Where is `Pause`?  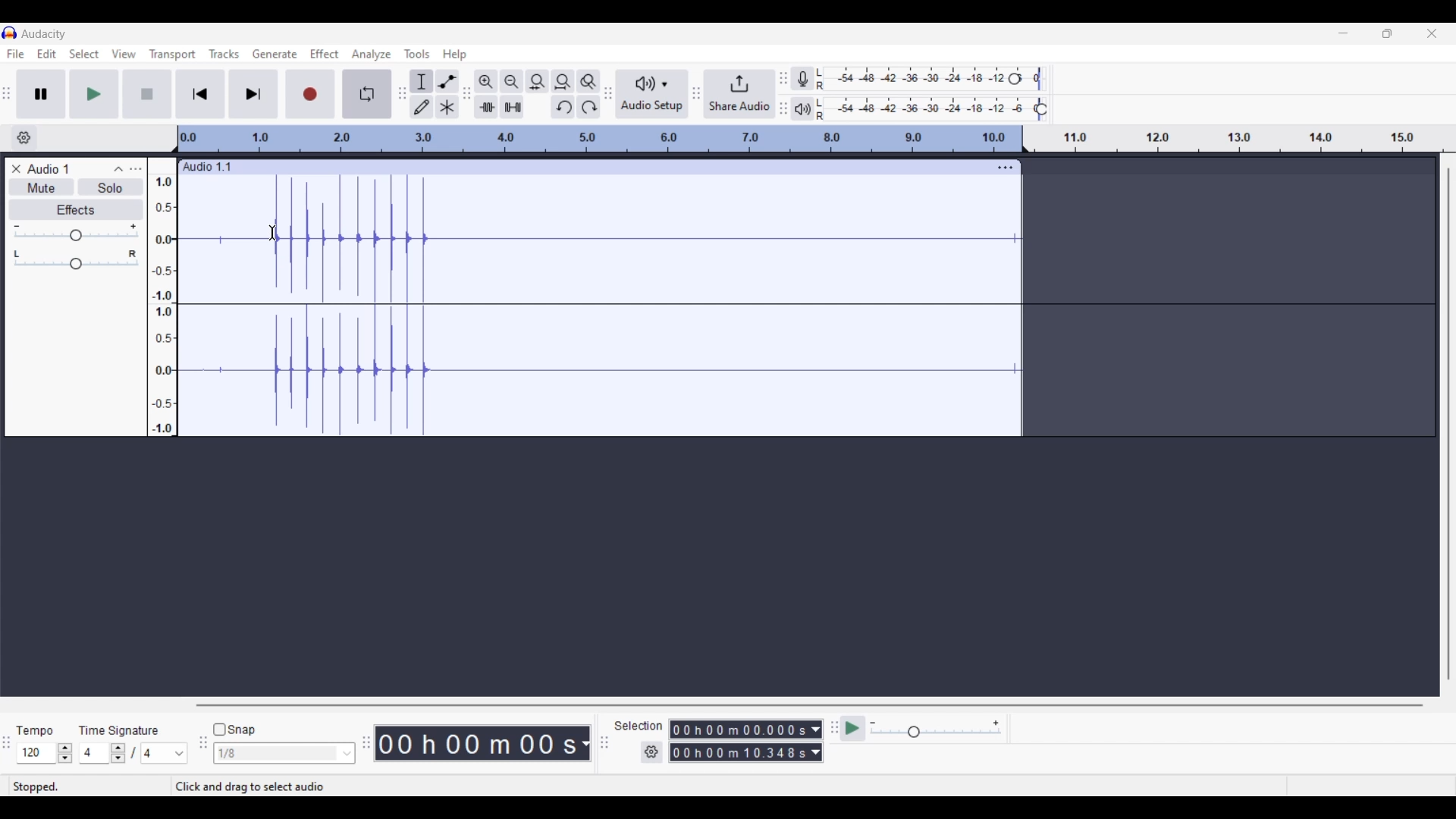 Pause is located at coordinates (42, 94).